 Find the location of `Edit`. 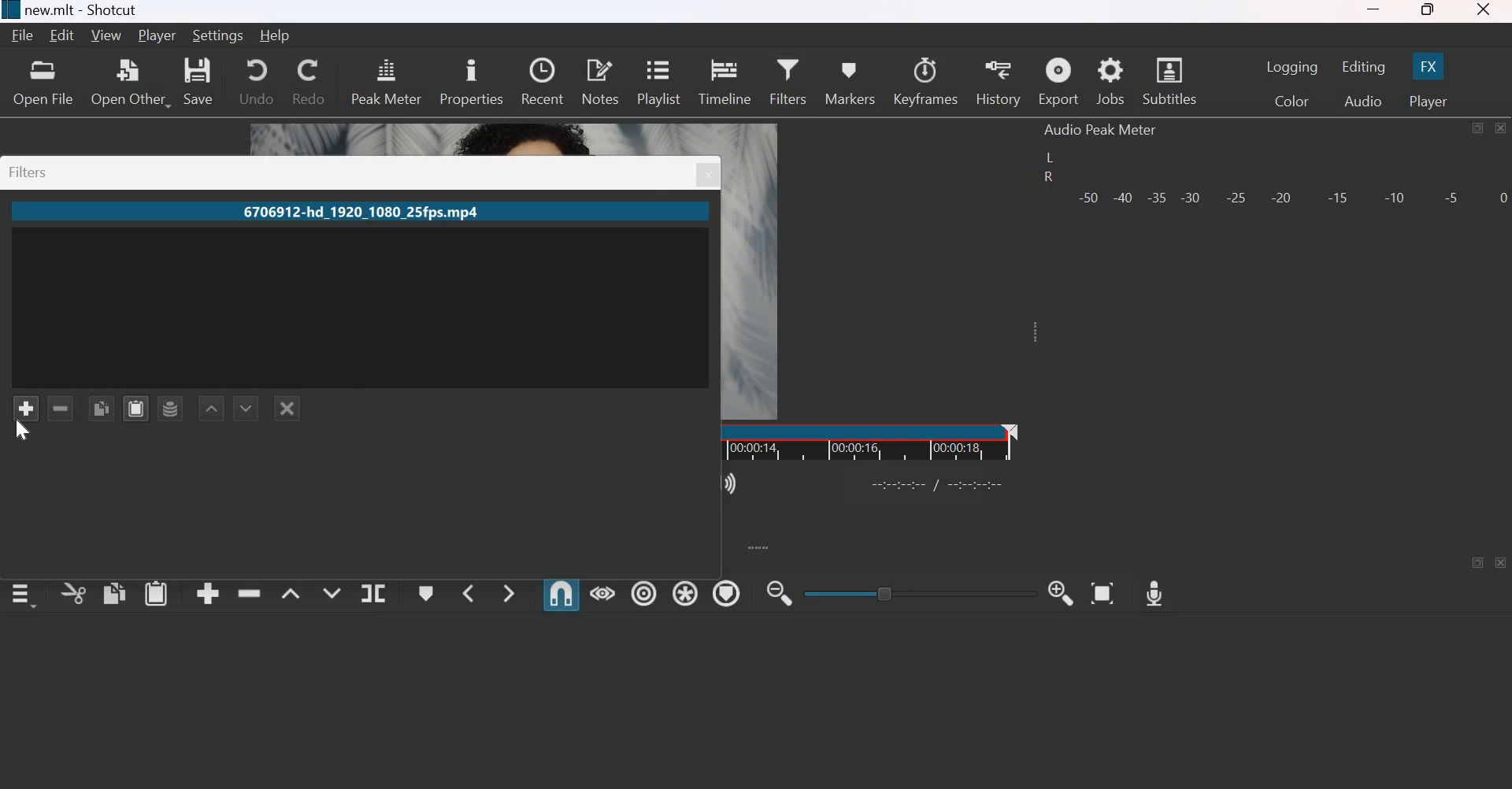

Edit is located at coordinates (65, 35).